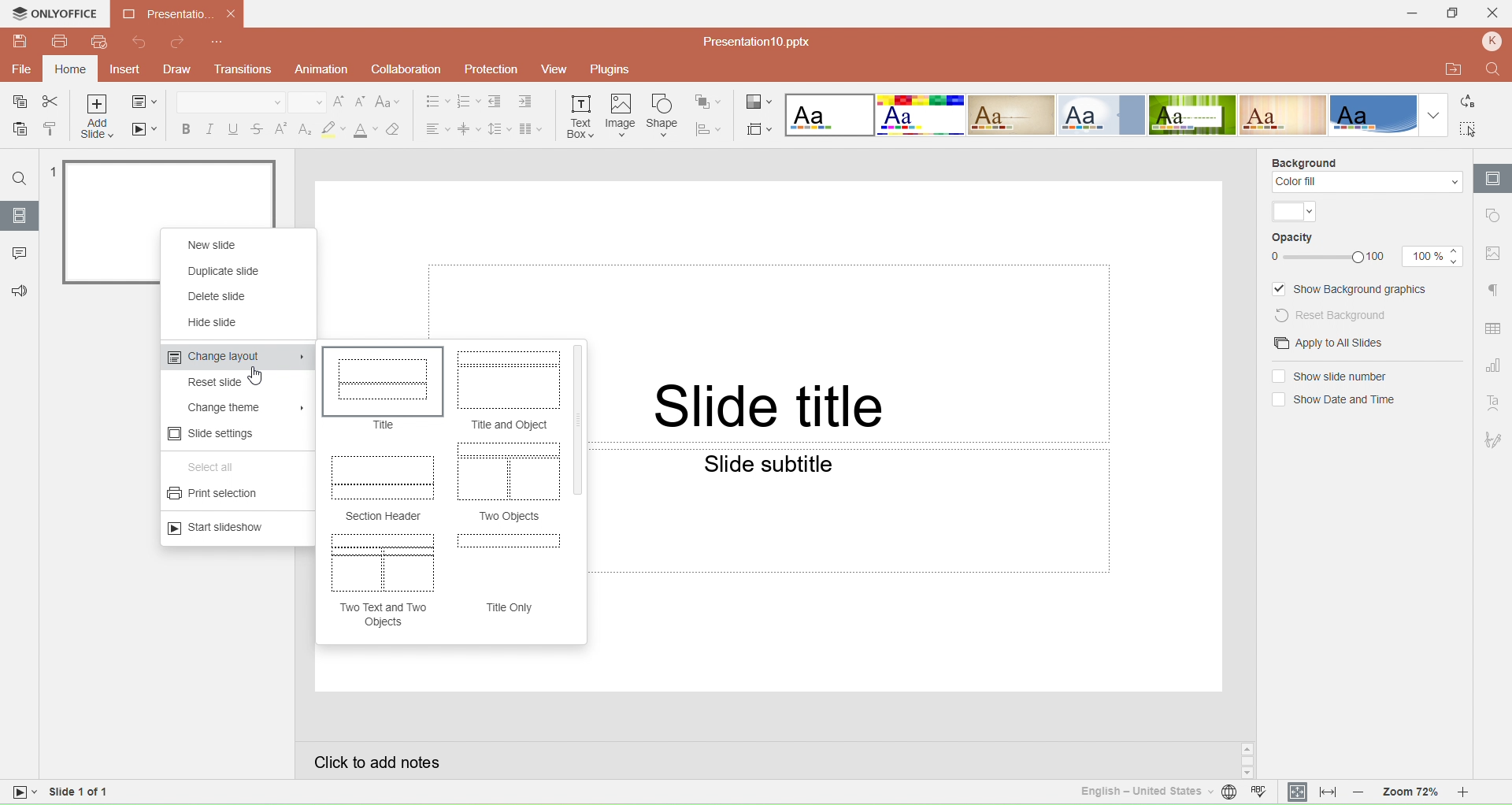  Describe the element at coordinates (506, 473) in the screenshot. I see `Two objects Preview layout` at that location.